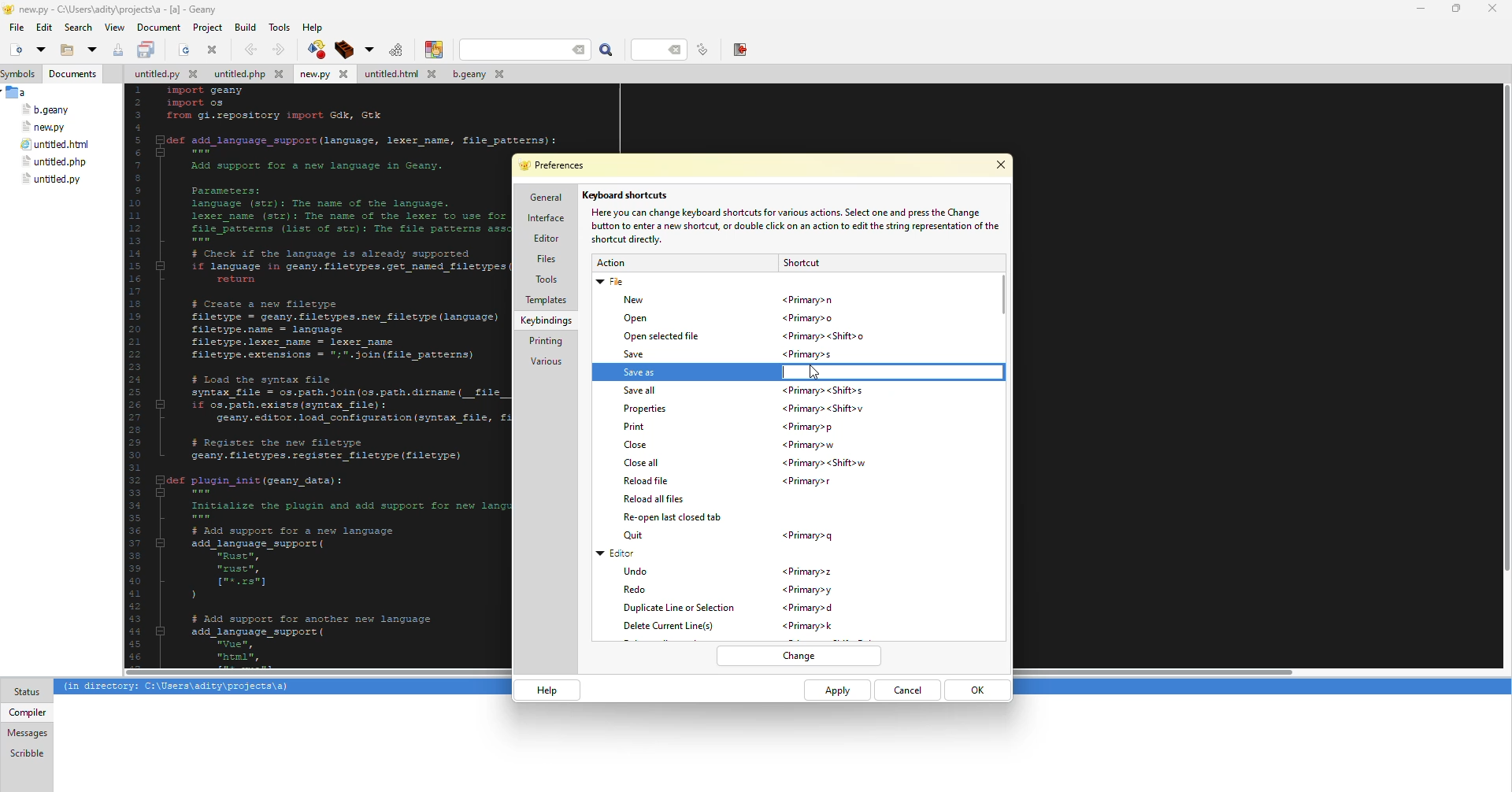 The height and width of the screenshot is (792, 1512). Describe the element at coordinates (1454, 9) in the screenshot. I see `maximize` at that location.